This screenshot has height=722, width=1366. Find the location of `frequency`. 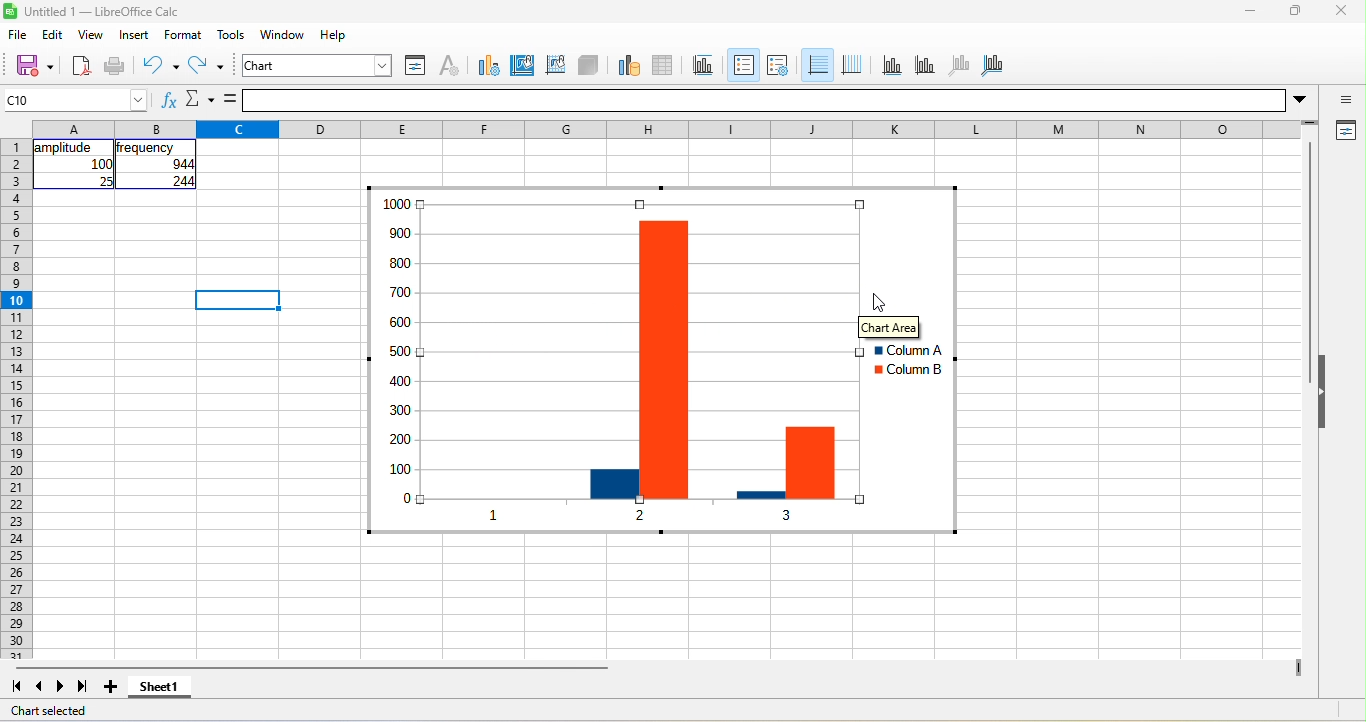

frequency is located at coordinates (147, 148).